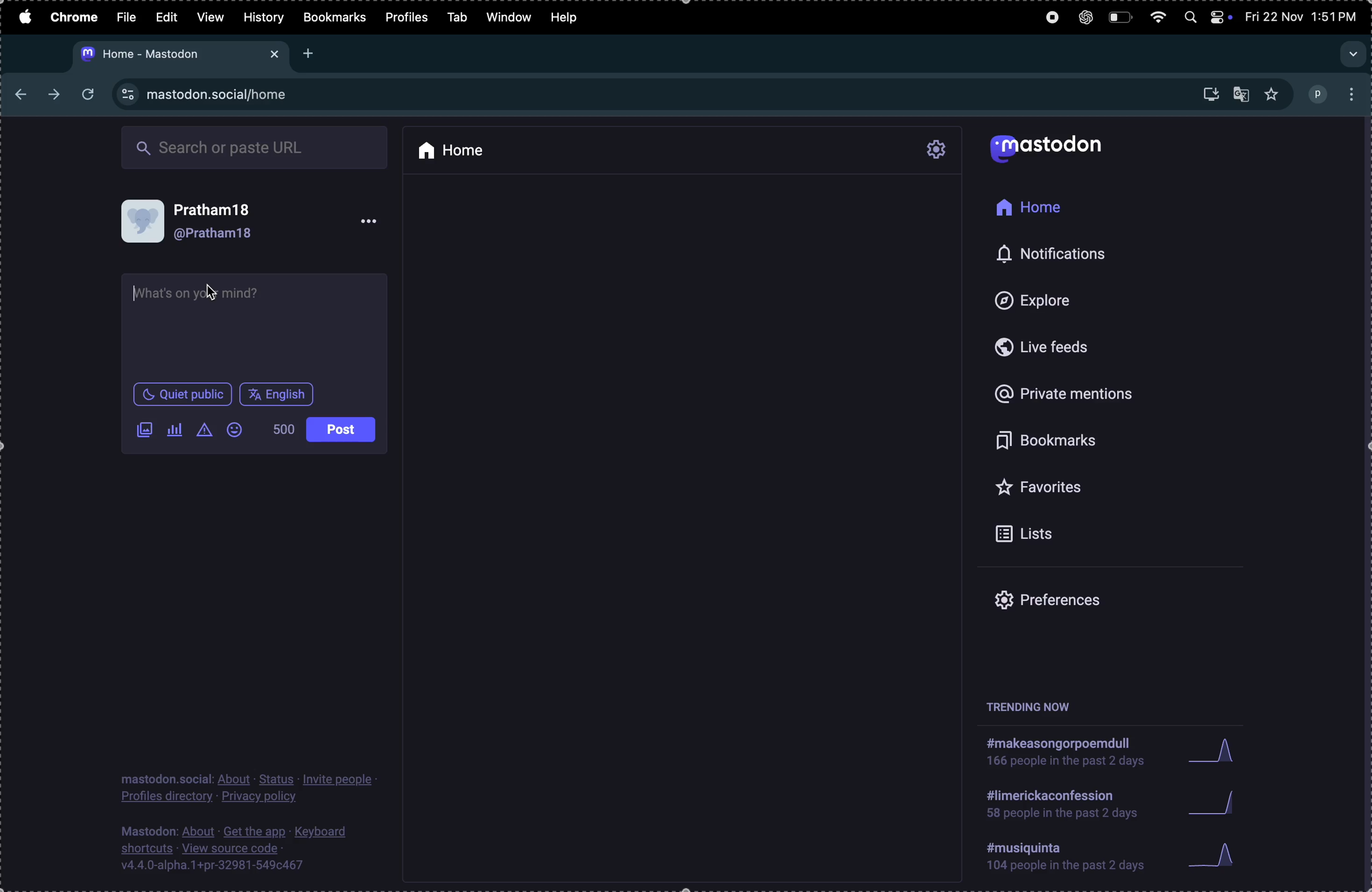 The width and height of the screenshot is (1372, 892). What do you see at coordinates (1062, 752) in the screenshot?
I see `hashtag` at bounding box center [1062, 752].